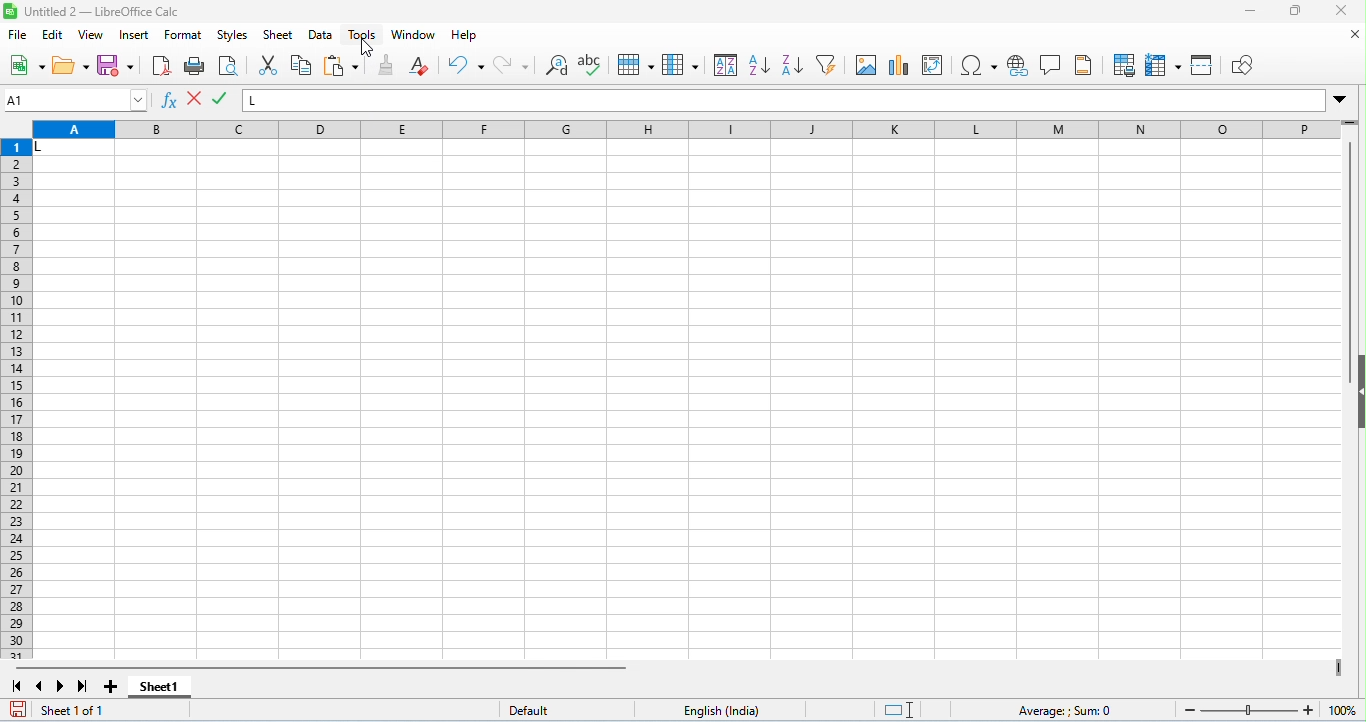 This screenshot has height=722, width=1366. What do you see at coordinates (901, 710) in the screenshot?
I see `standard selection` at bounding box center [901, 710].